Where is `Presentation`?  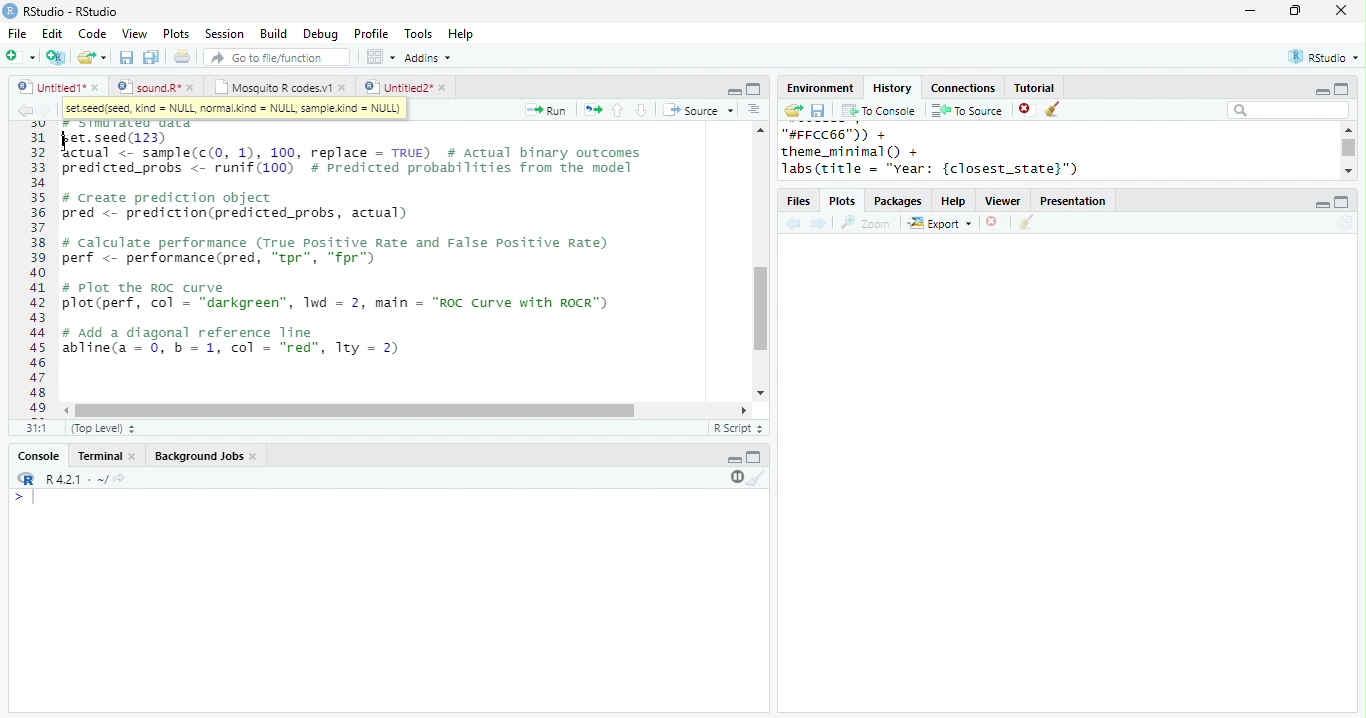
Presentation is located at coordinates (1073, 201).